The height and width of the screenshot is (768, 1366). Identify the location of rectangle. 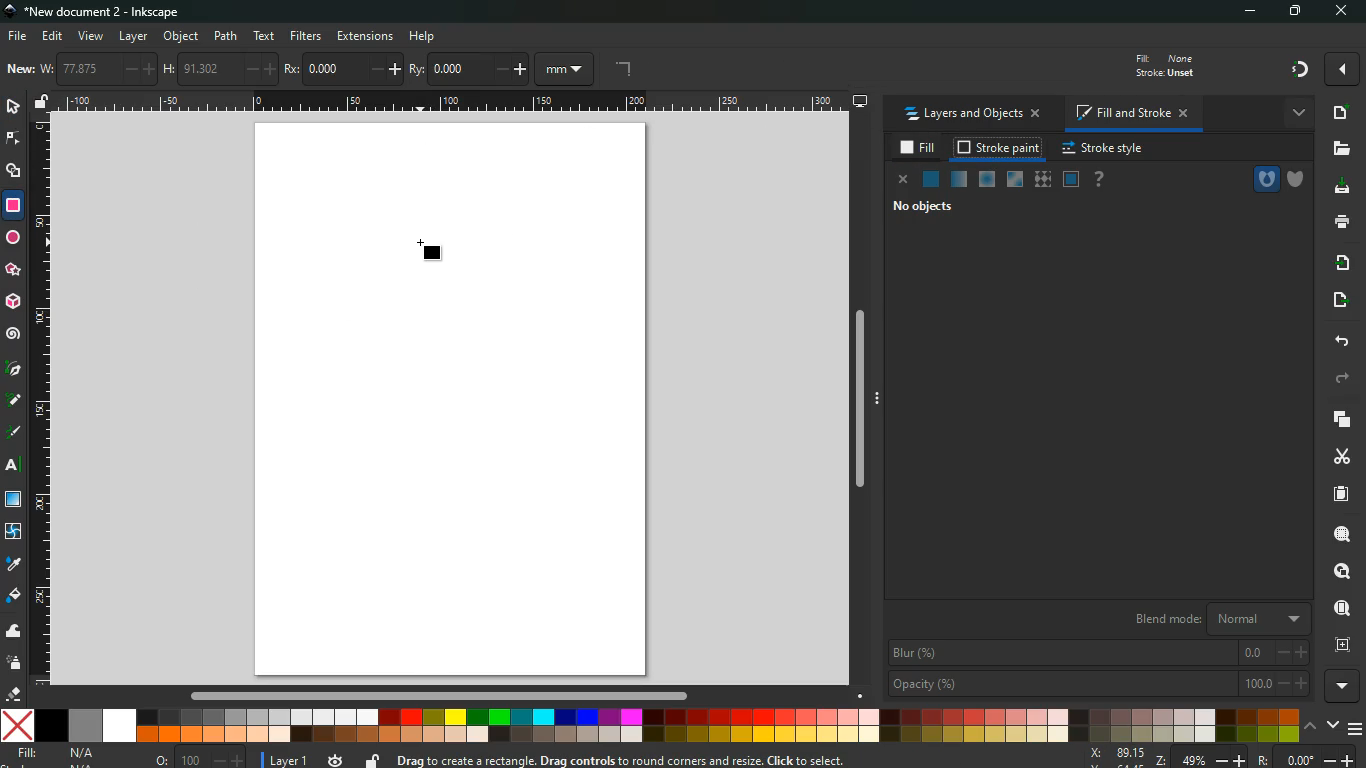
(15, 204).